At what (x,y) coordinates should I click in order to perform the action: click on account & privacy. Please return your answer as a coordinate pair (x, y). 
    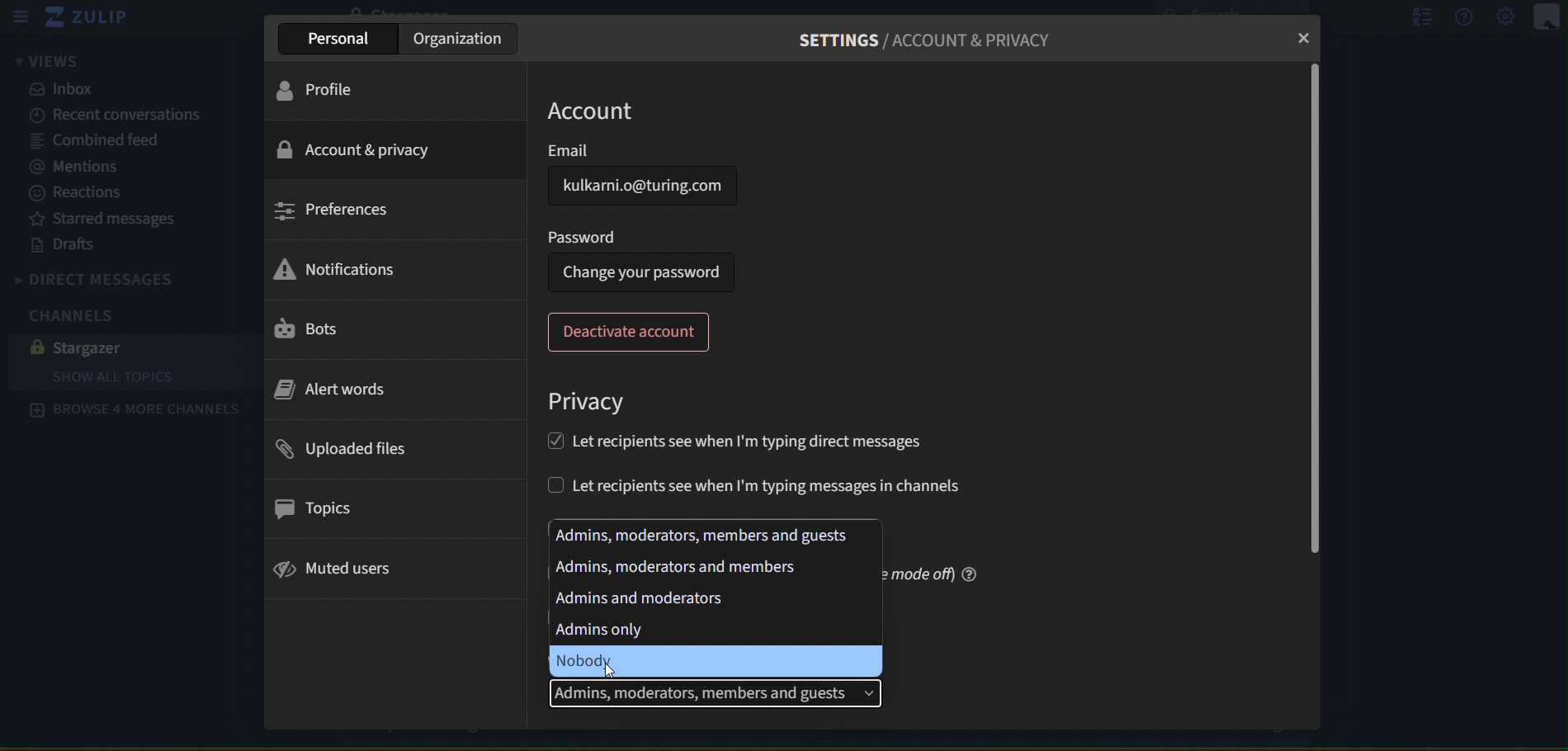
    Looking at the image, I should click on (356, 151).